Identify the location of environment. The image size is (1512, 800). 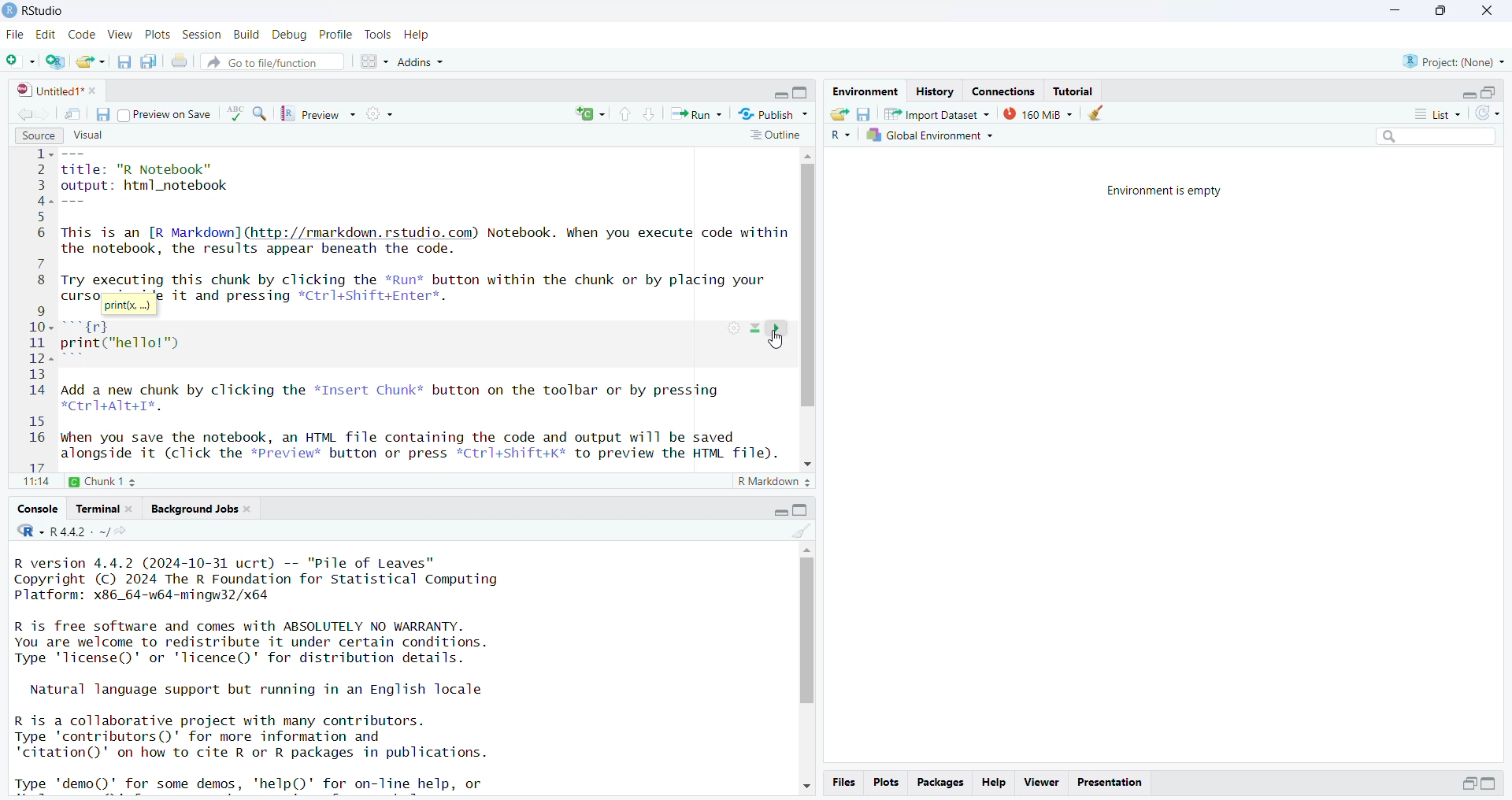
(864, 91).